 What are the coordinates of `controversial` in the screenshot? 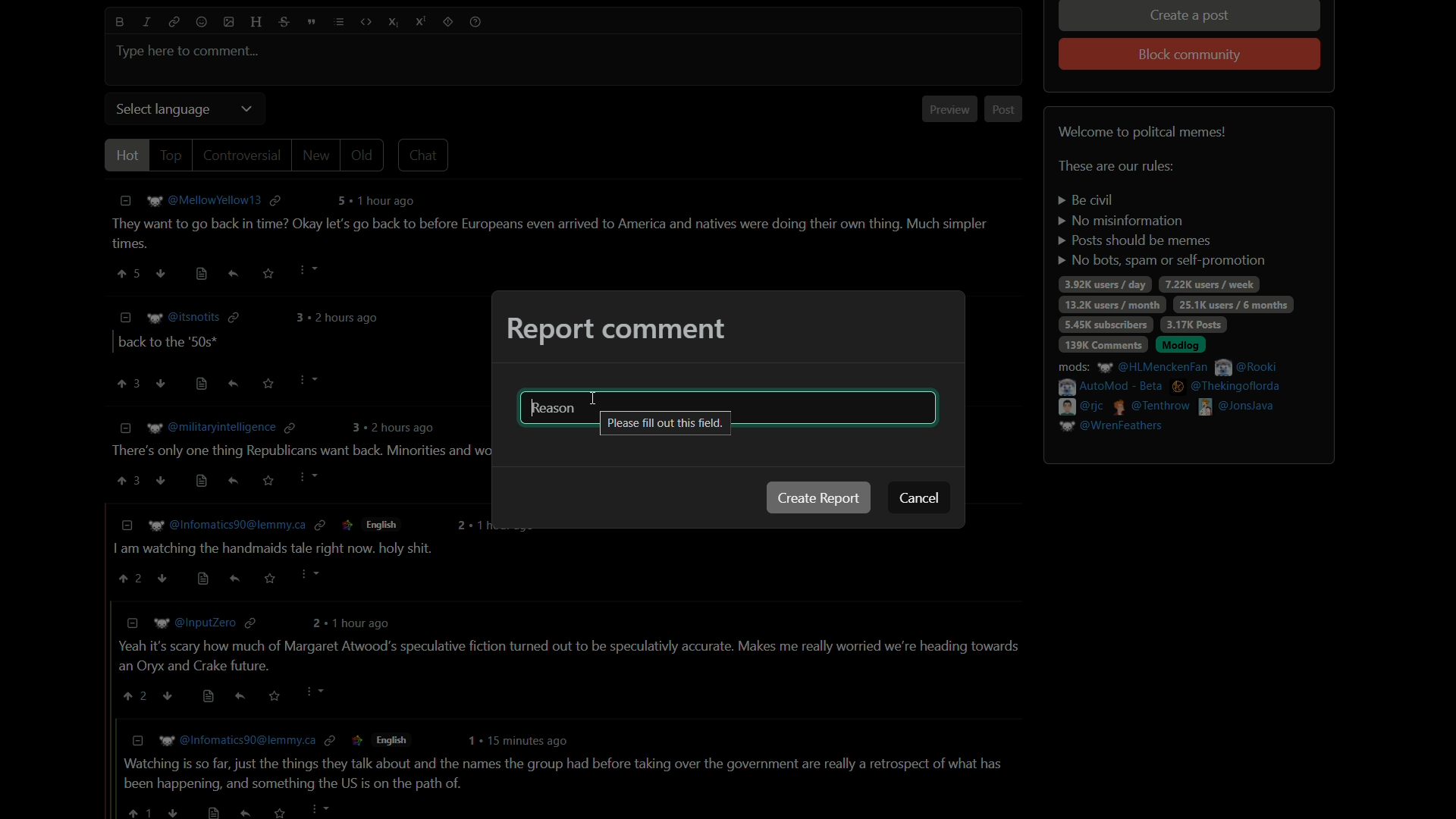 It's located at (240, 155).